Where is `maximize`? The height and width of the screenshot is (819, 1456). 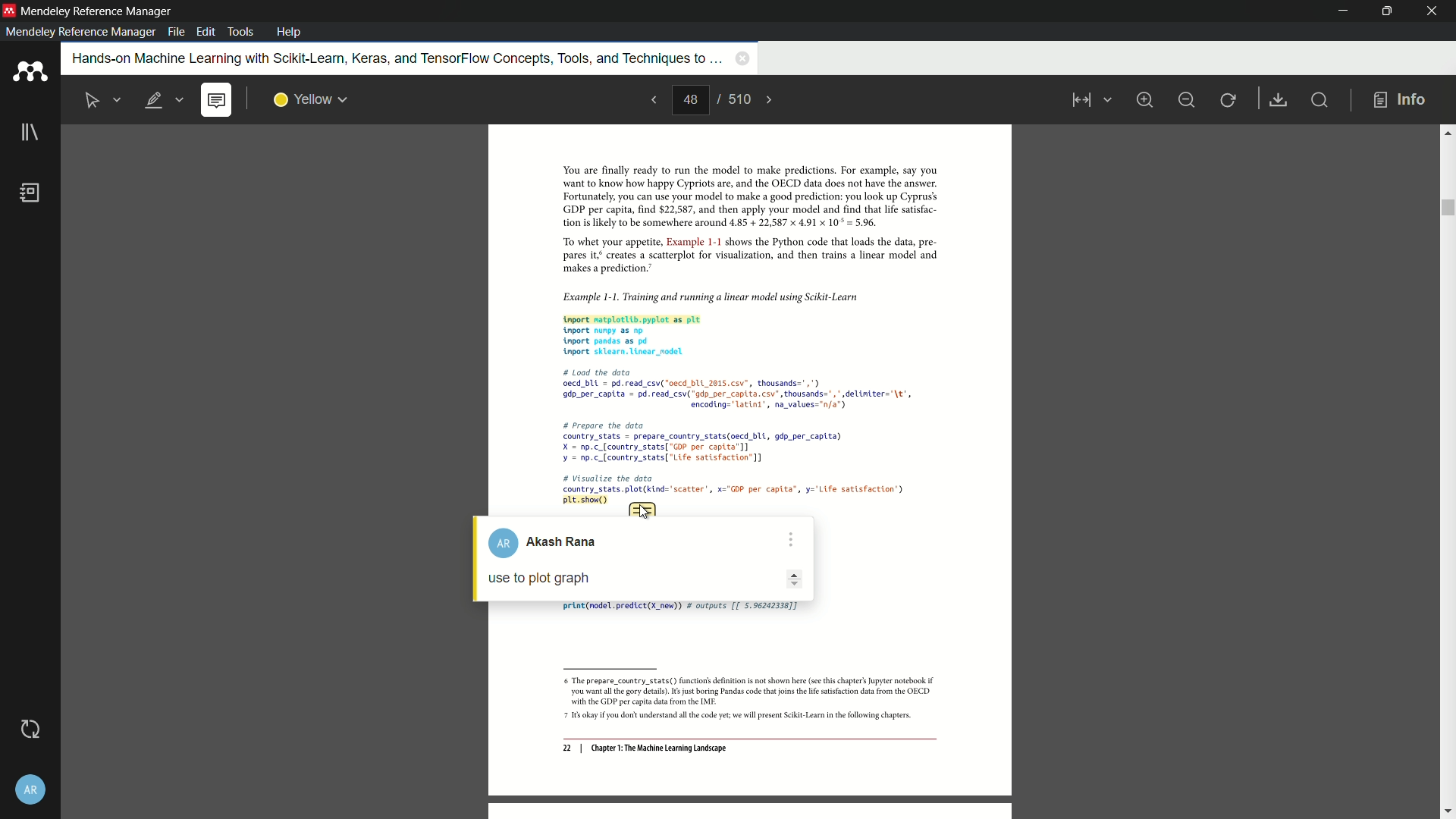 maximize is located at coordinates (1384, 11).